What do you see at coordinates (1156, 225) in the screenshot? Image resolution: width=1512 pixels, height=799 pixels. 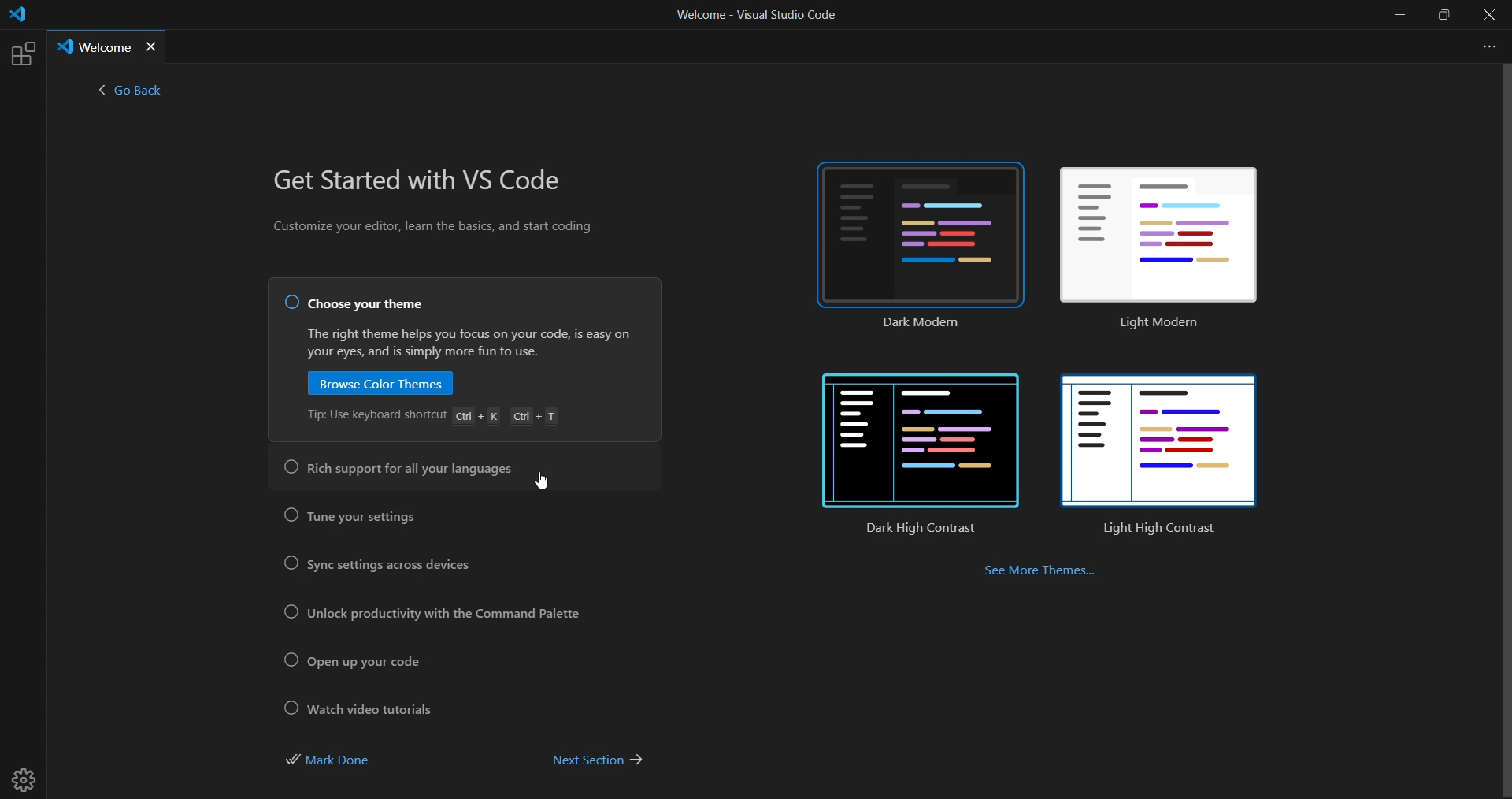 I see `light modern` at bounding box center [1156, 225].